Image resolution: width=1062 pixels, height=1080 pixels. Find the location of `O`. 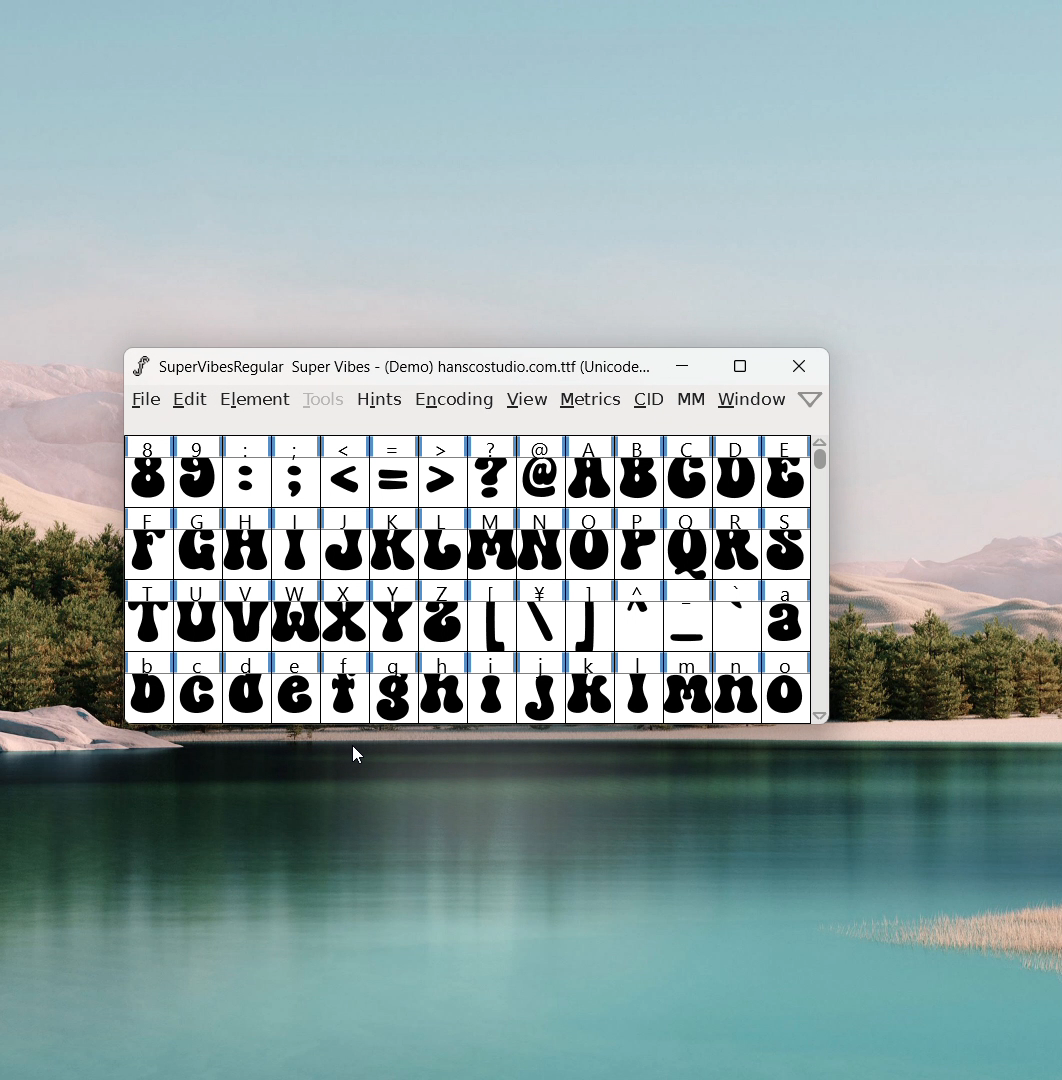

O is located at coordinates (590, 544).